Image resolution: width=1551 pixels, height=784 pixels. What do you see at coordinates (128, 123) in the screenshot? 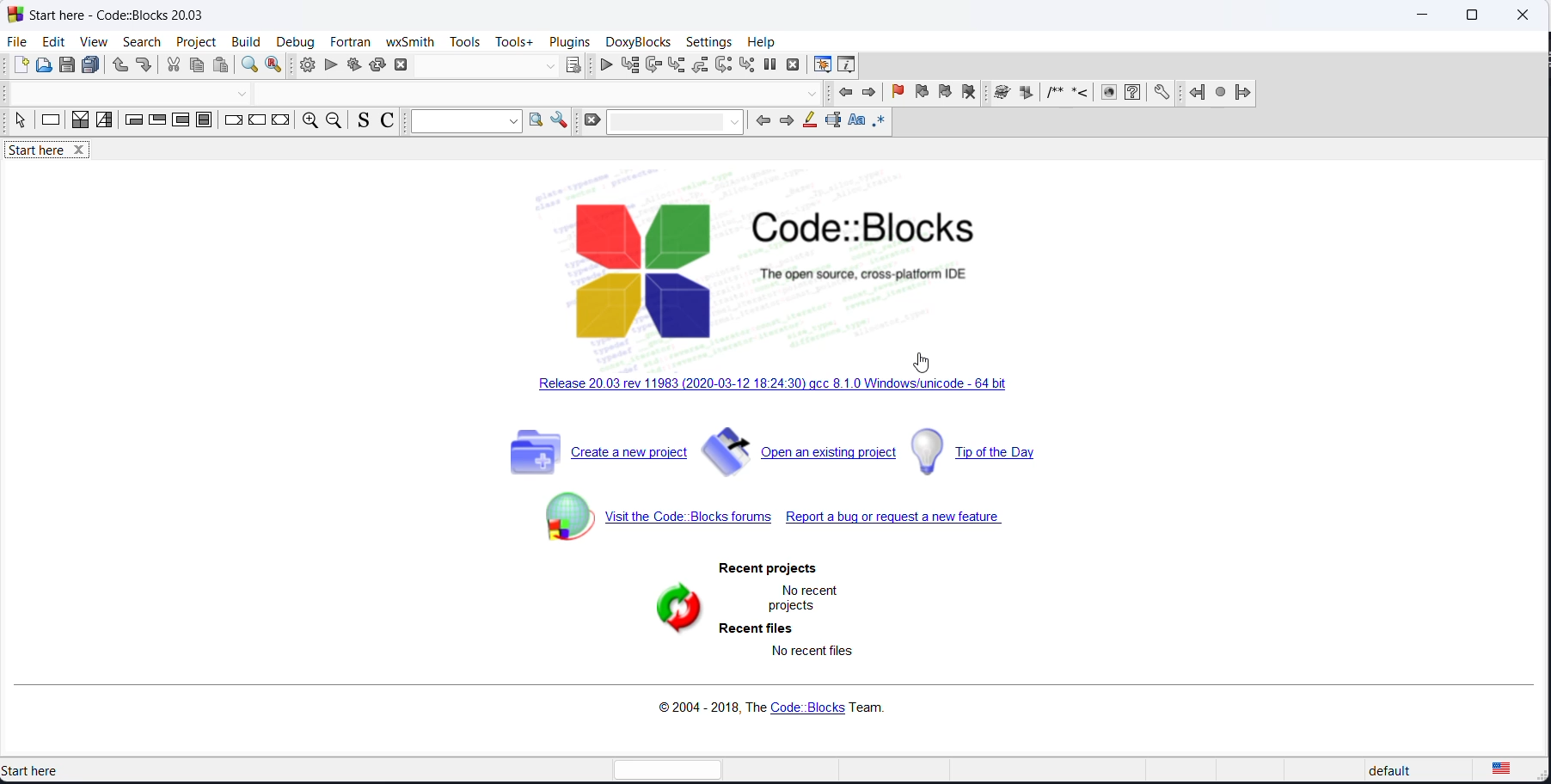
I see `entry condition loop` at bounding box center [128, 123].